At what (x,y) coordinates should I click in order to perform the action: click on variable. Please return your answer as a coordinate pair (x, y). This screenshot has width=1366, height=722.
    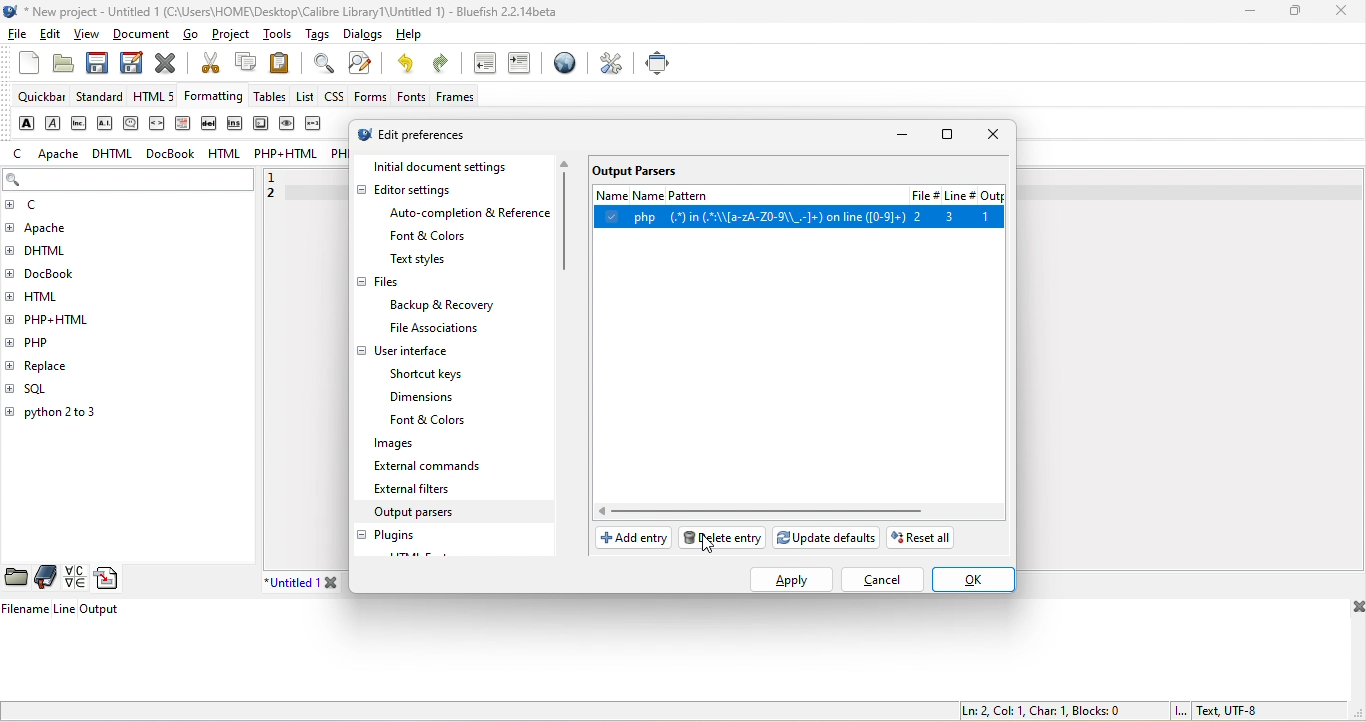
    Looking at the image, I should click on (317, 124).